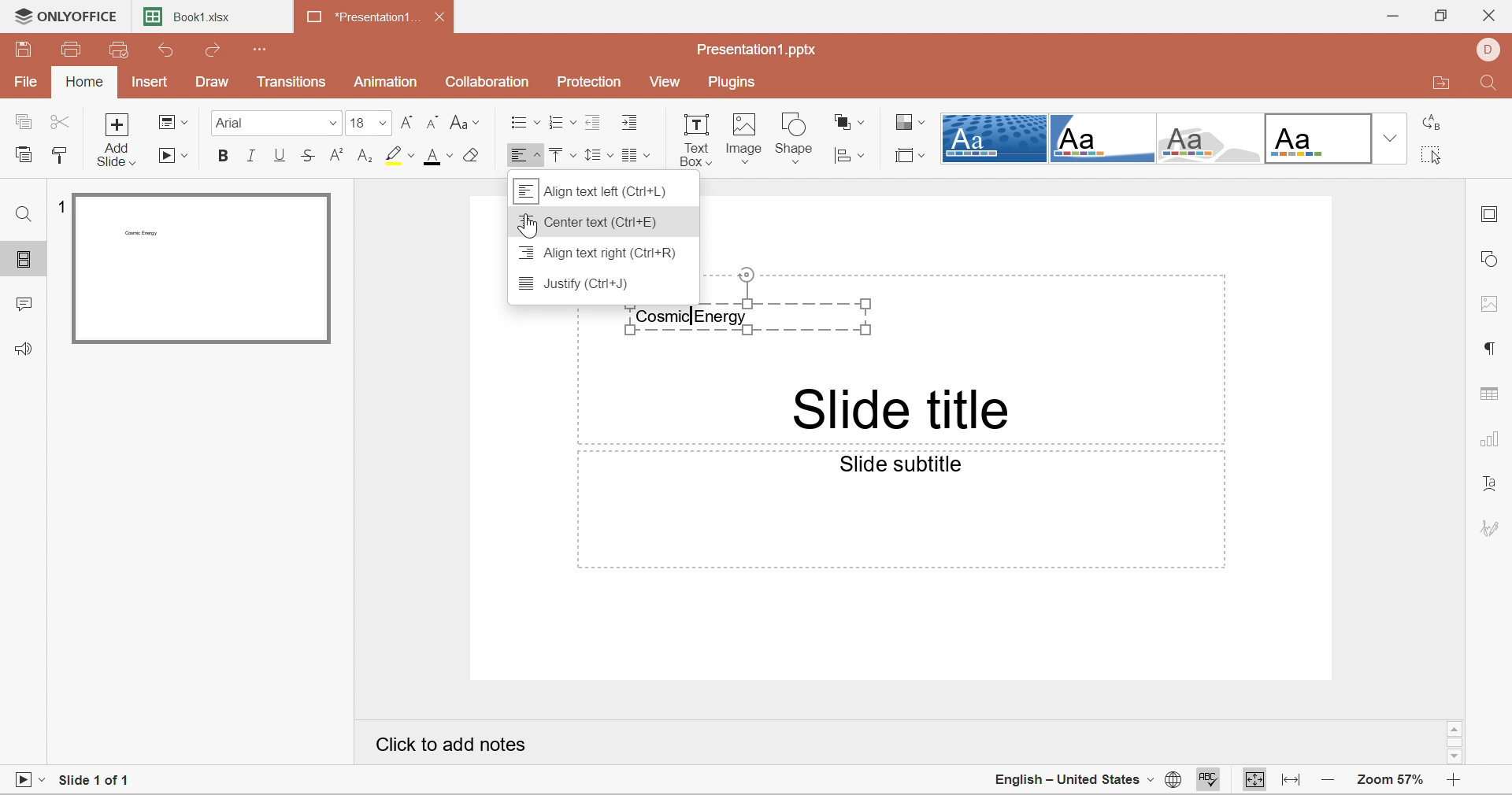  Describe the element at coordinates (593, 189) in the screenshot. I see `Align text Left (Ctrl+L)` at that location.